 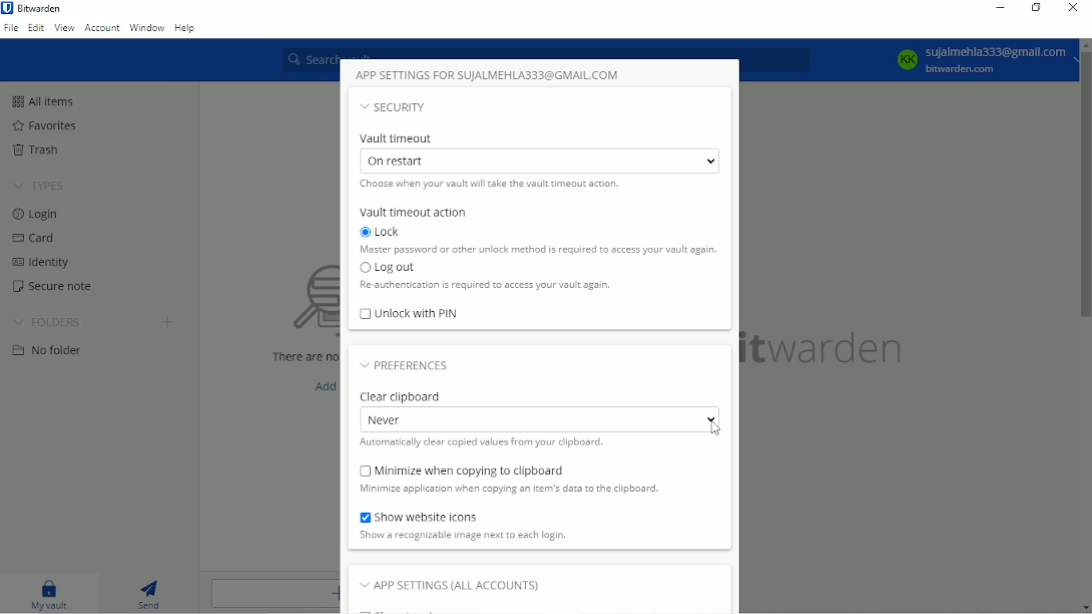 What do you see at coordinates (103, 28) in the screenshot?
I see `Account` at bounding box center [103, 28].